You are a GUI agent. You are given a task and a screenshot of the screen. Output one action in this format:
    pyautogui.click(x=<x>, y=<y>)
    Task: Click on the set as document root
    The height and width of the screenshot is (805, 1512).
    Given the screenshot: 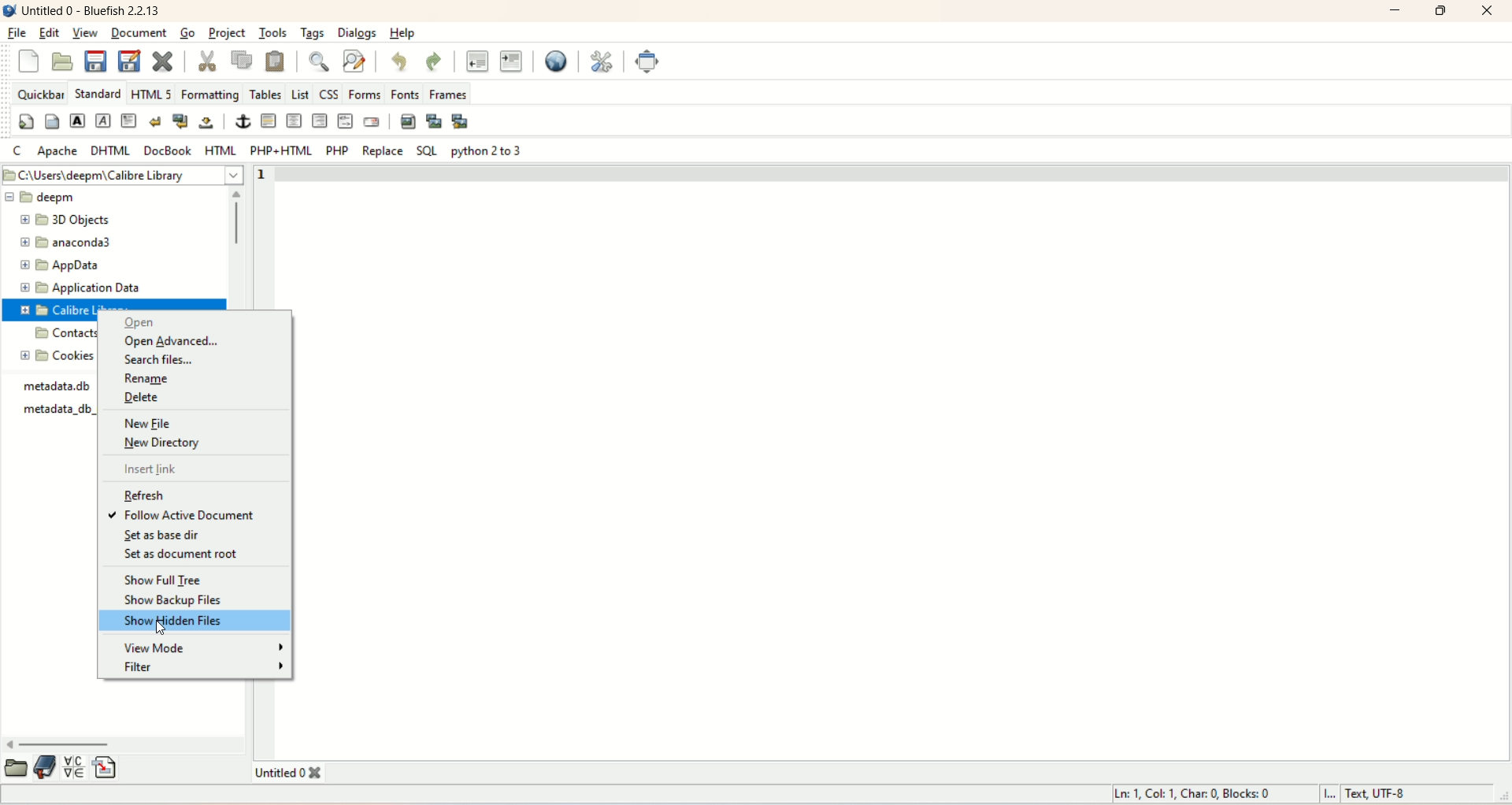 What is the action you would take?
    pyautogui.click(x=182, y=558)
    